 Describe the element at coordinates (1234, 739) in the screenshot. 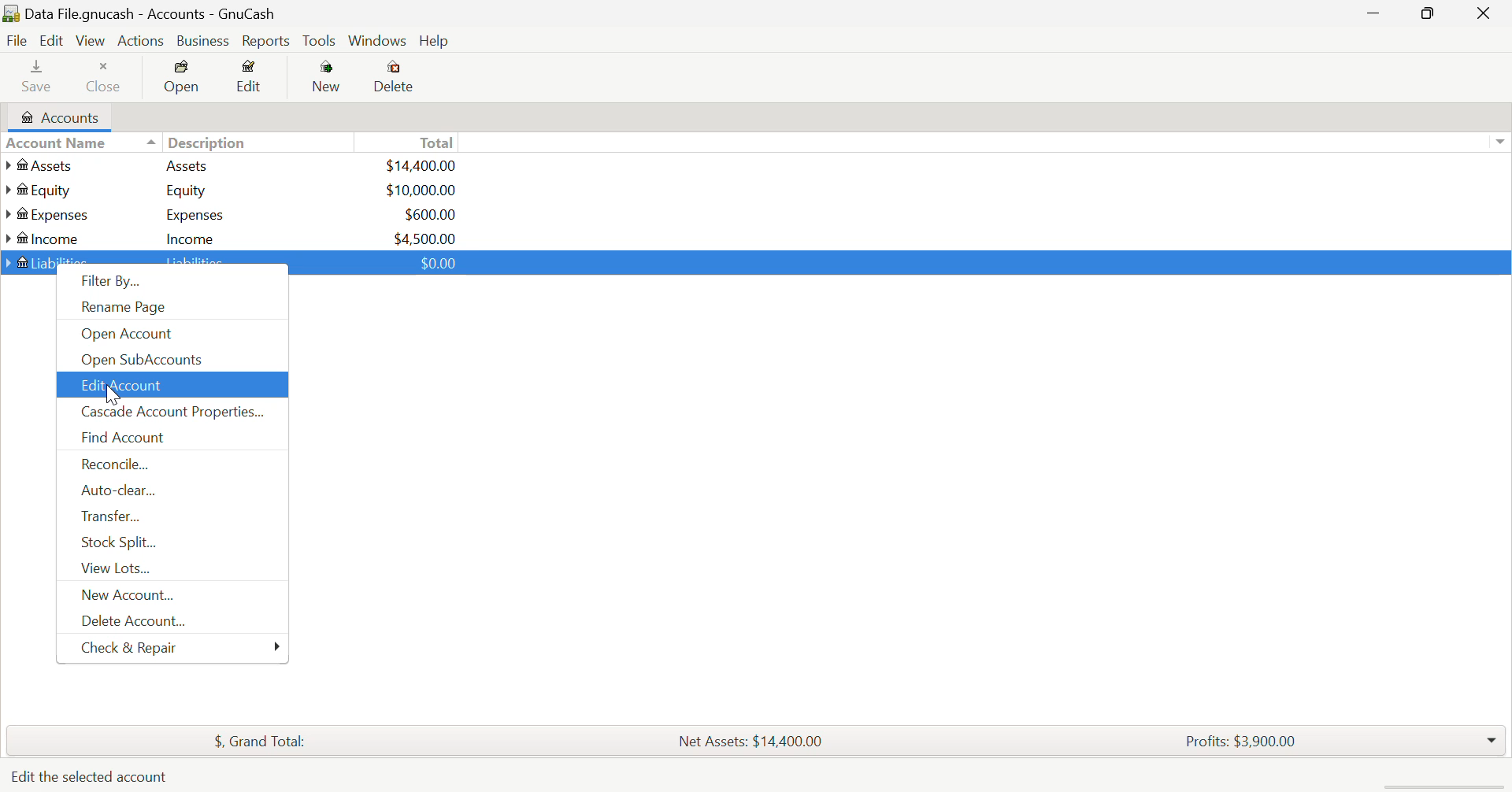

I see `Profits` at that location.